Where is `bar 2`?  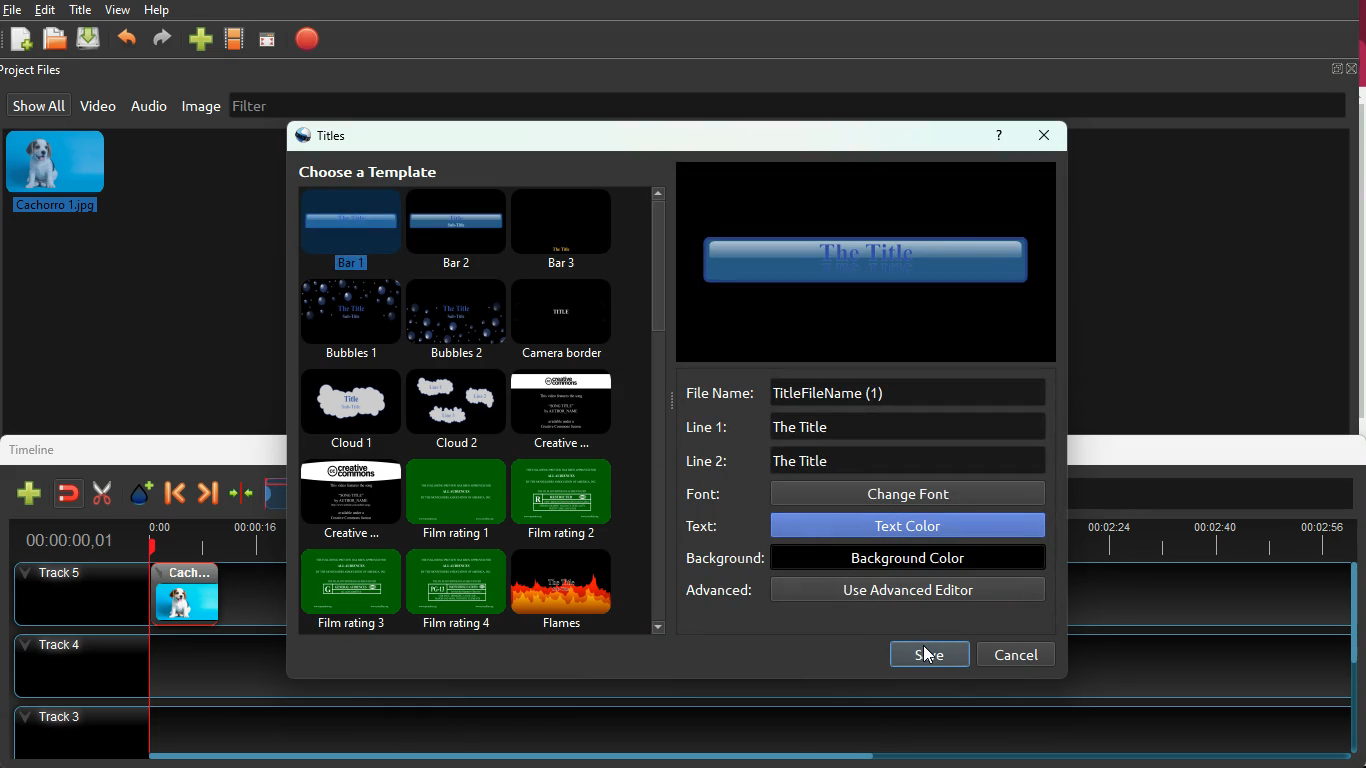
bar 2 is located at coordinates (458, 228).